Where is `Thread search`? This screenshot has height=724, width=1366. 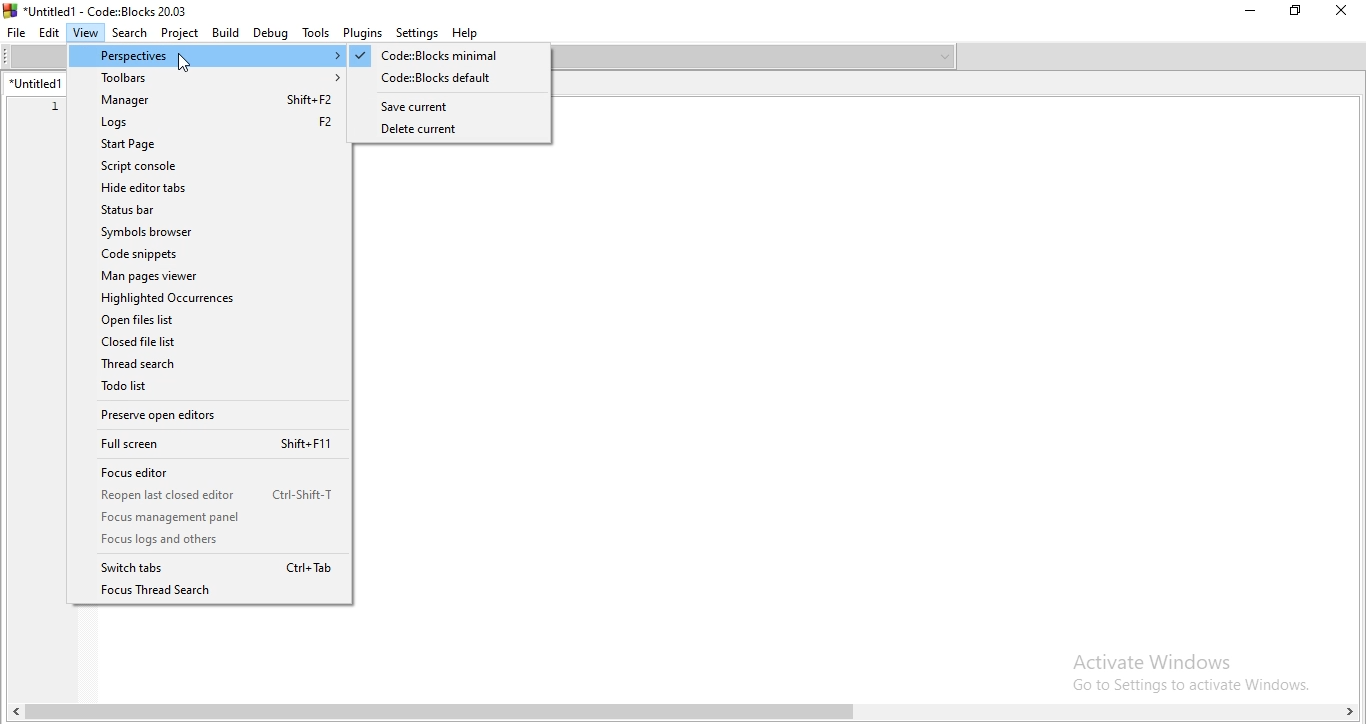
Thread search is located at coordinates (214, 363).